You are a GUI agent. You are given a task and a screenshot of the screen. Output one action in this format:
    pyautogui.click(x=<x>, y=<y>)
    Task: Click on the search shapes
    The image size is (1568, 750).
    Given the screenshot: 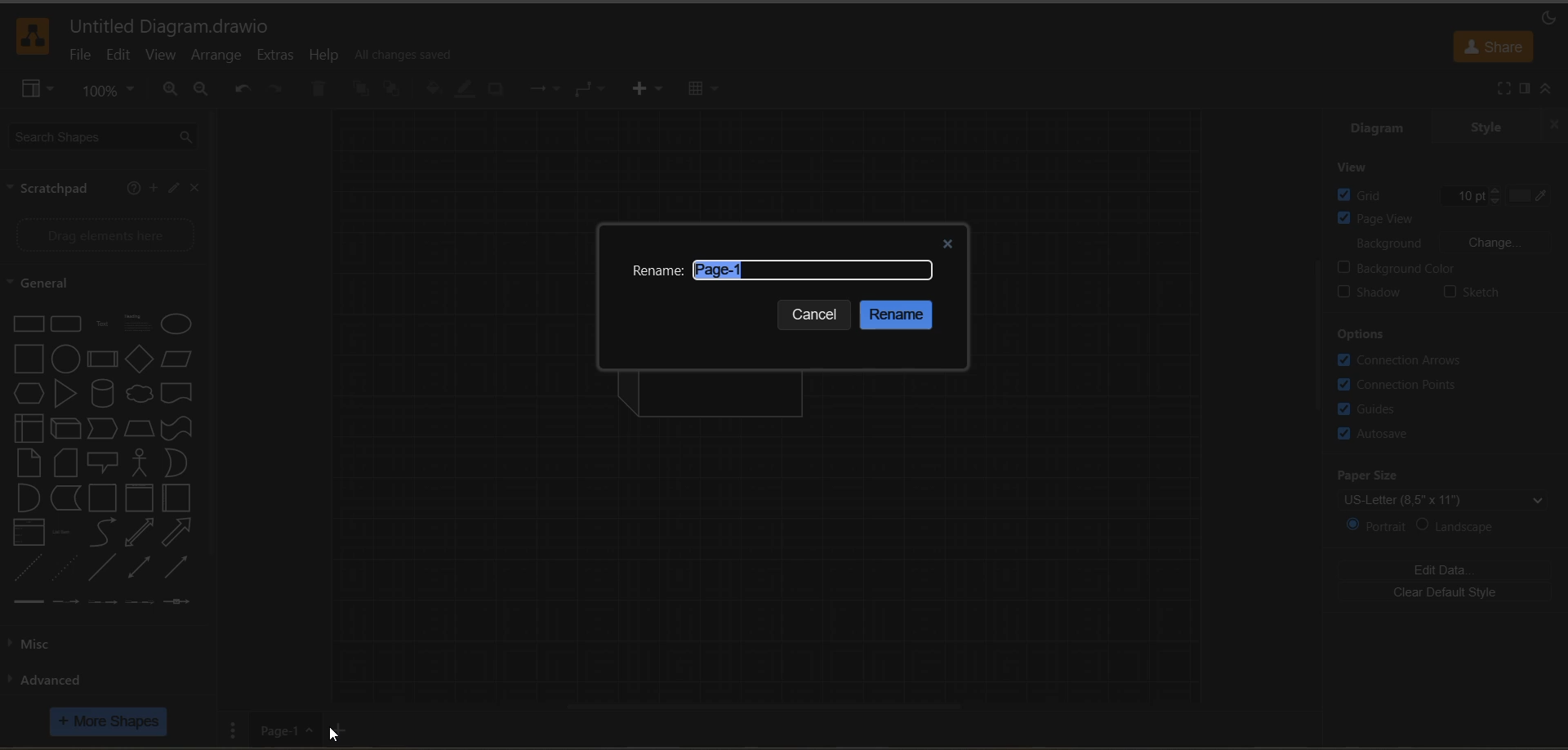 What is the action you would take?
    pyautogui.click(x=107, y=138)
    